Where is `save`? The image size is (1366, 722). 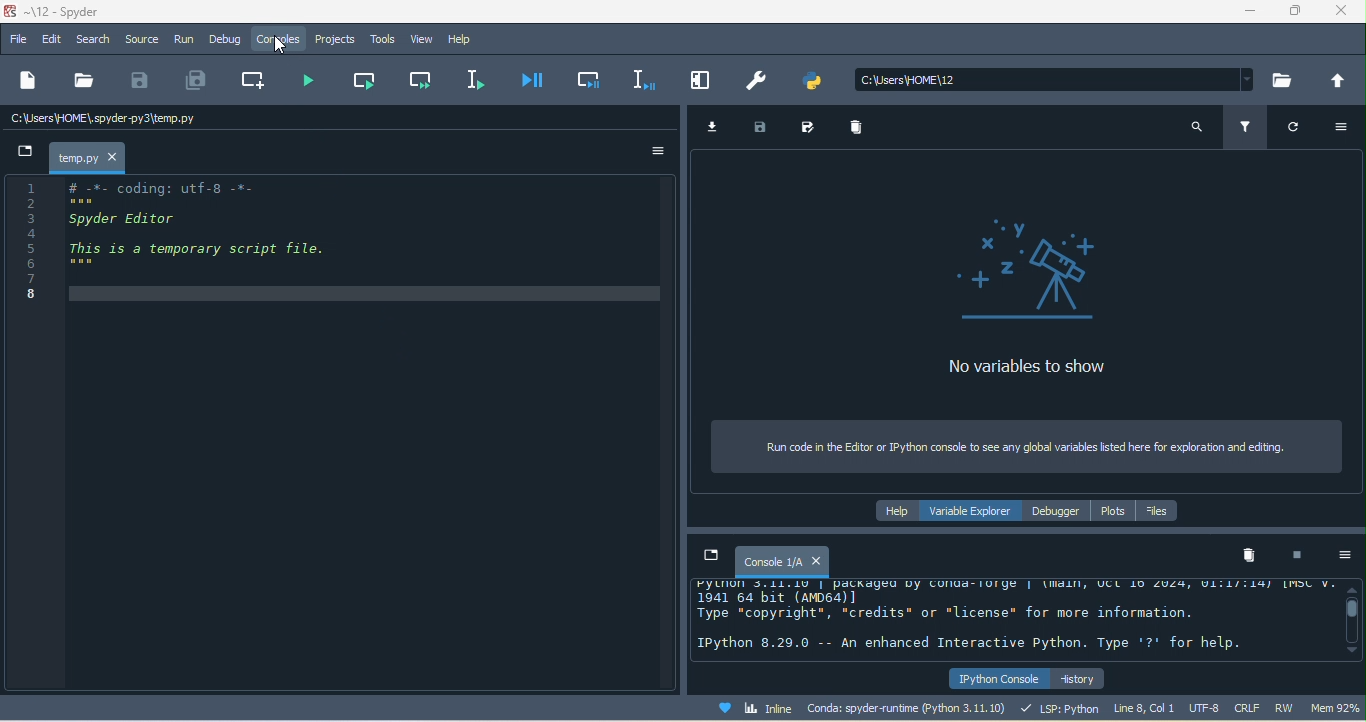 save is located at coordinates (142, 84).